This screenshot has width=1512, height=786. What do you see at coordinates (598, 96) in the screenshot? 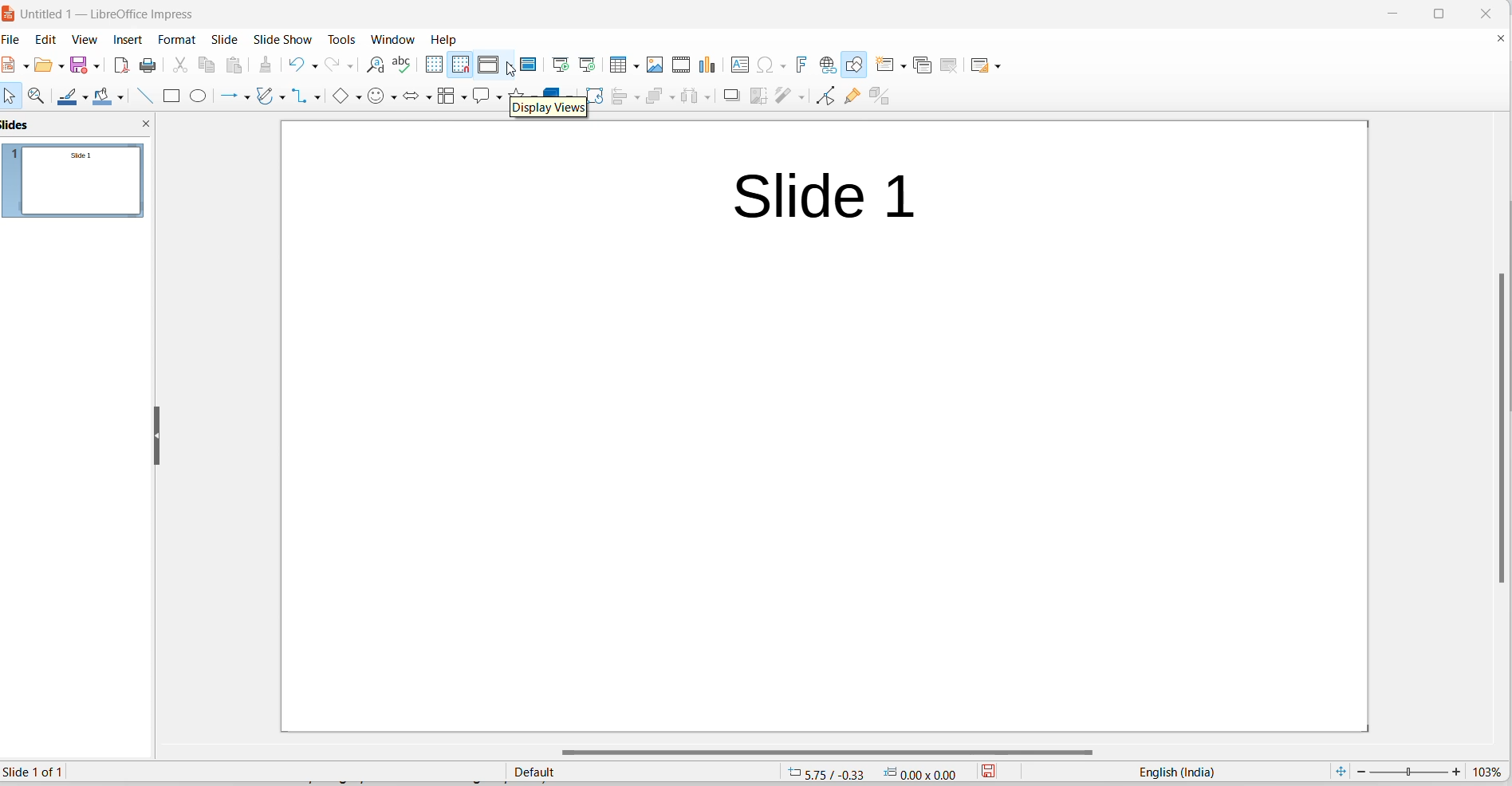
I see `rotate` at bounding box center [598, 96].